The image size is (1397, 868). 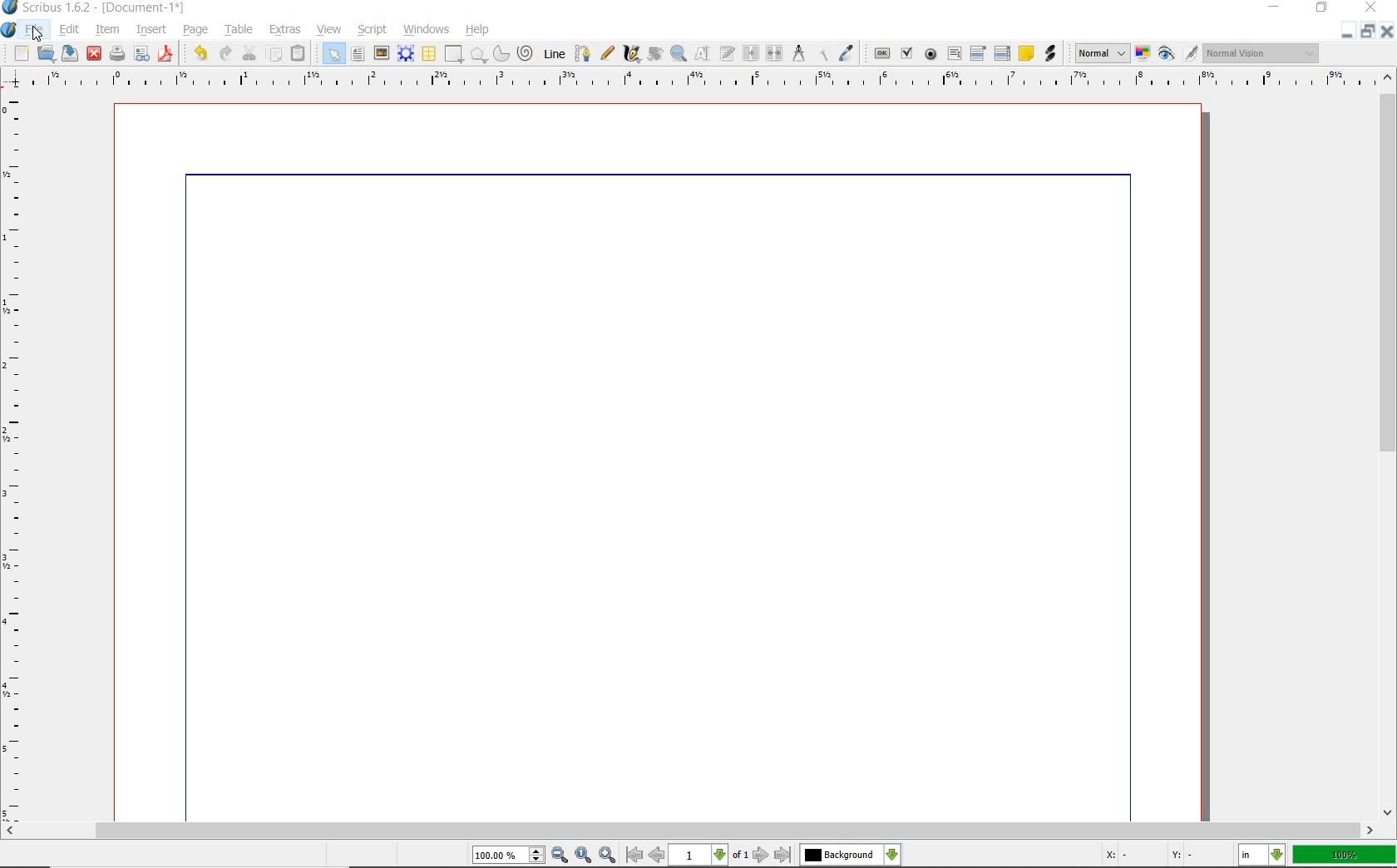 What do you see at coordinates (454, 53) in the screenshot?
I see `shape` at bounding box center [454, 53].